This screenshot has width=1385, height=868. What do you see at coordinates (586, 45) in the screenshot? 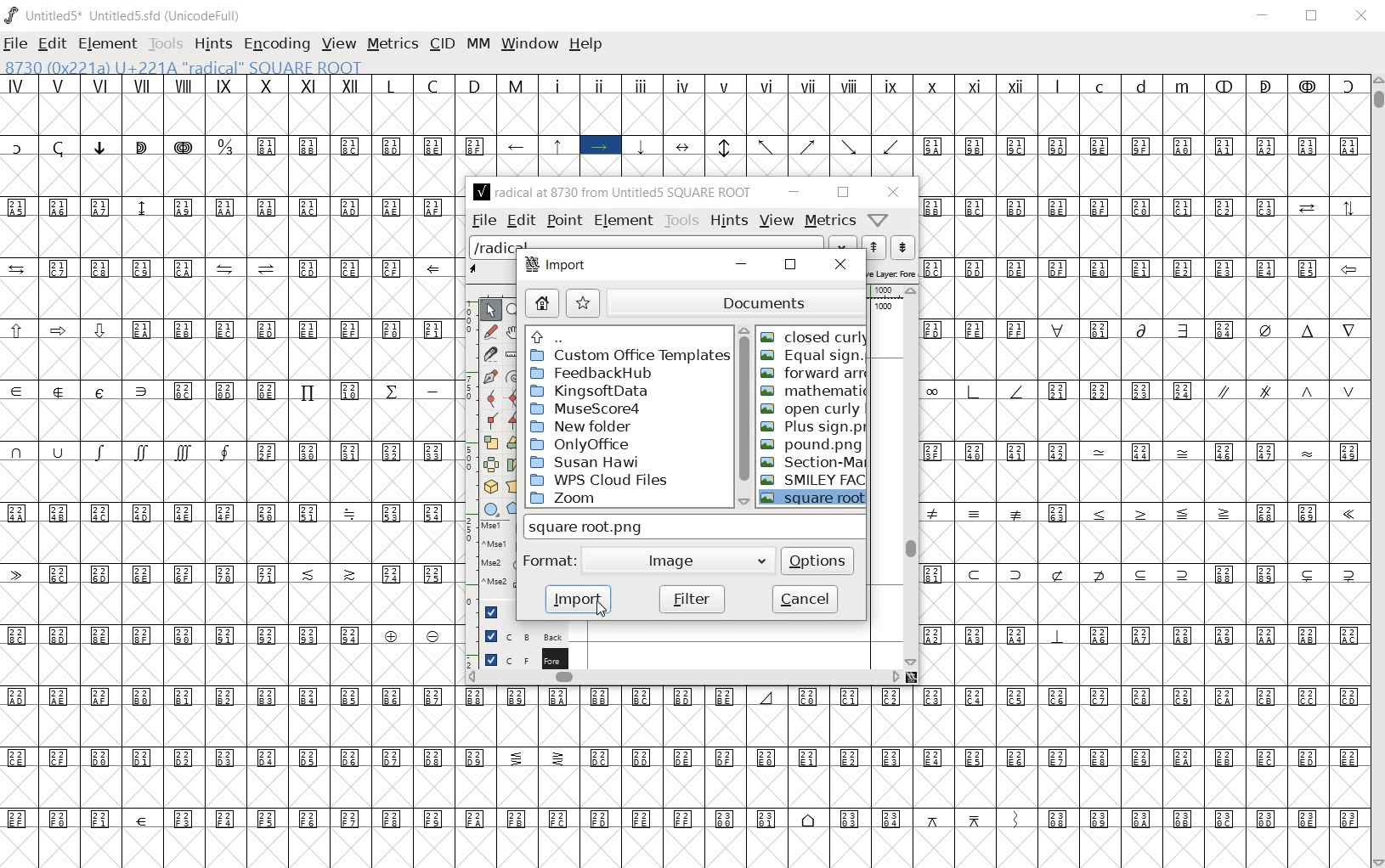
I see `HELP` at bounding box center [586, 45].